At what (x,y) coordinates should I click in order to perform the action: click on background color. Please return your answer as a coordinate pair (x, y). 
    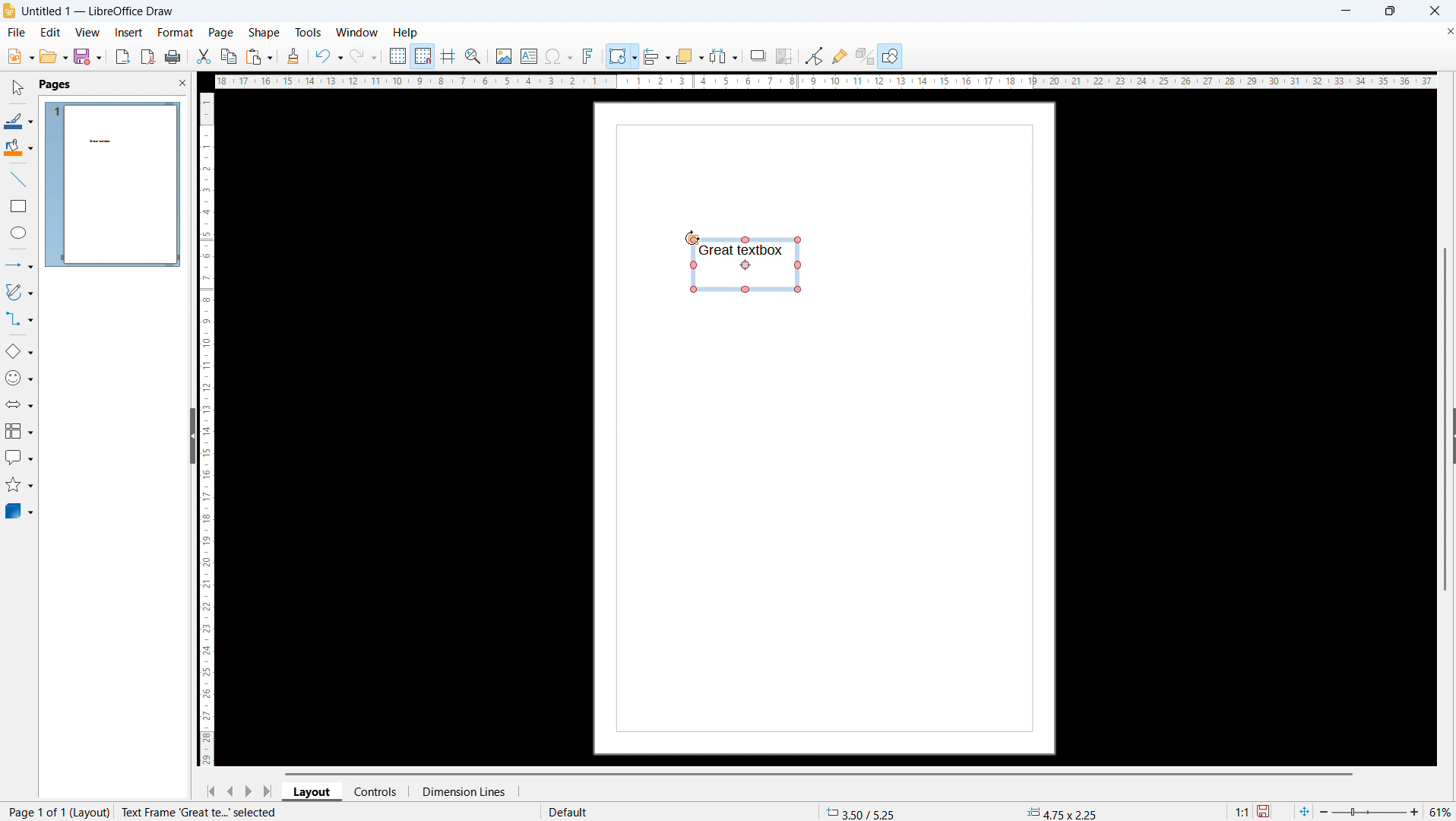
    Looking at the image, I should click on (18, 148).